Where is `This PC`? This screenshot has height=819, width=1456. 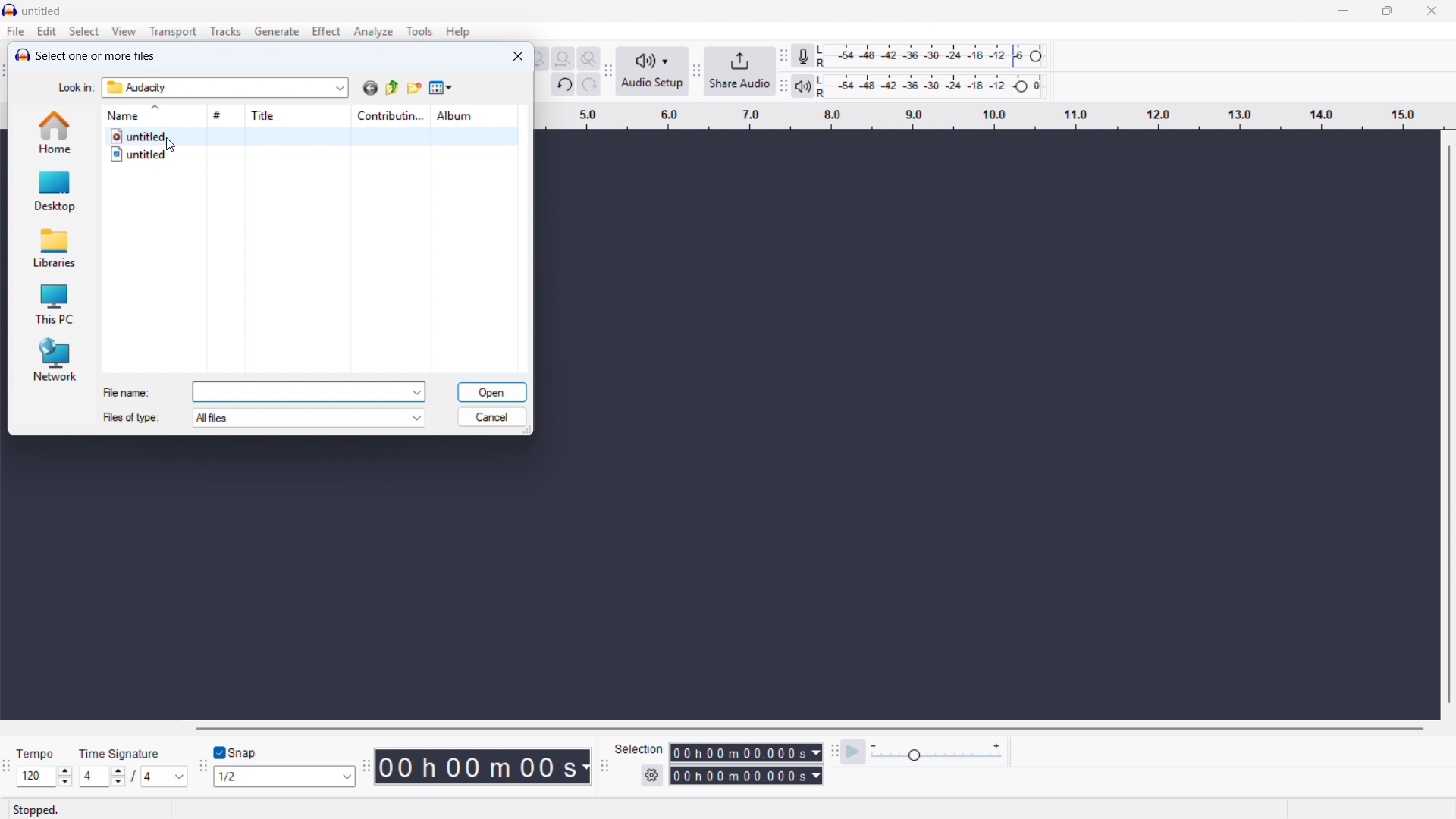 This PC is located at coordinates (52, 302).